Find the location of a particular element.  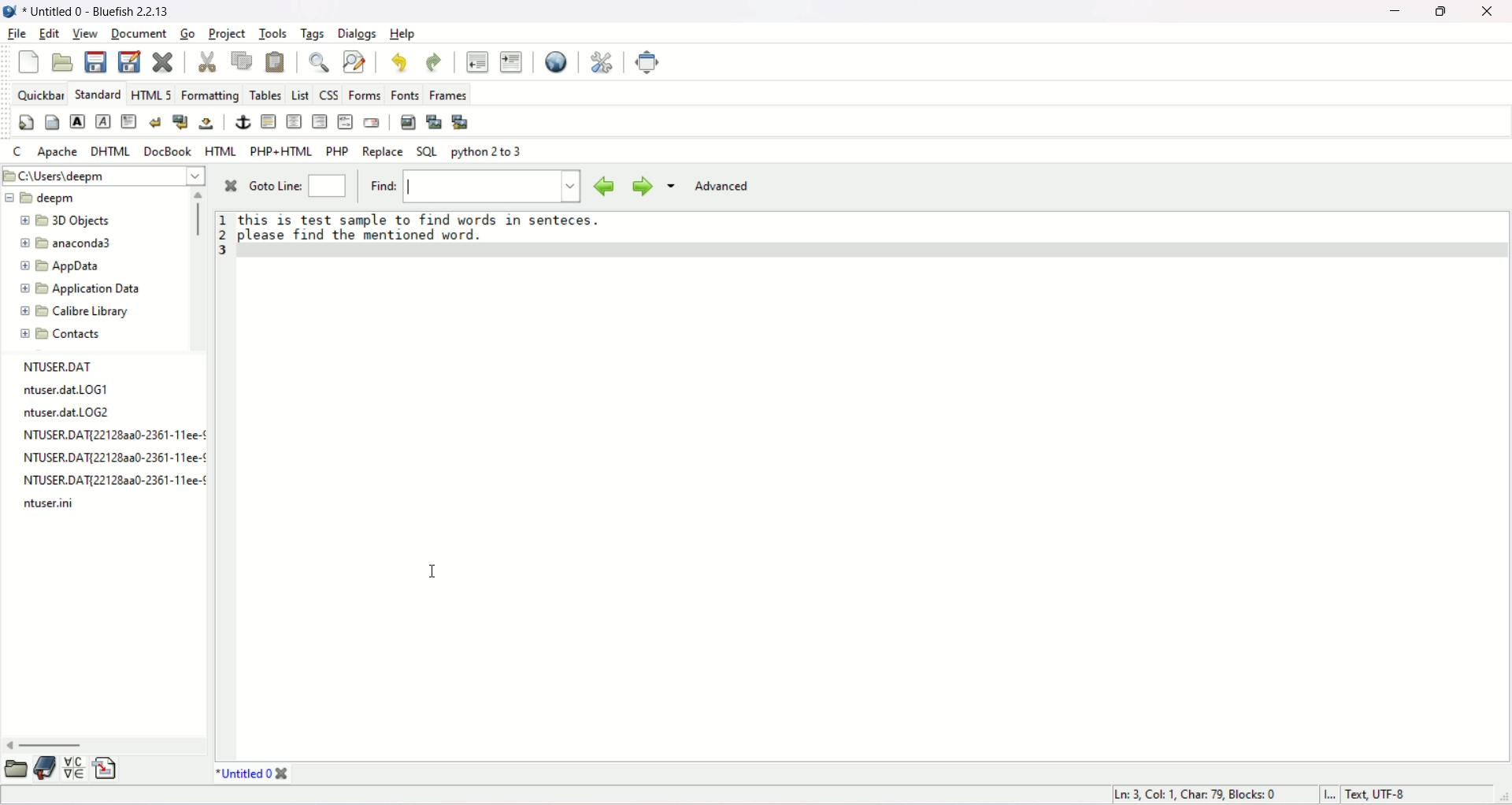

anchor/hyperlink is located at coordinates (243, 122).